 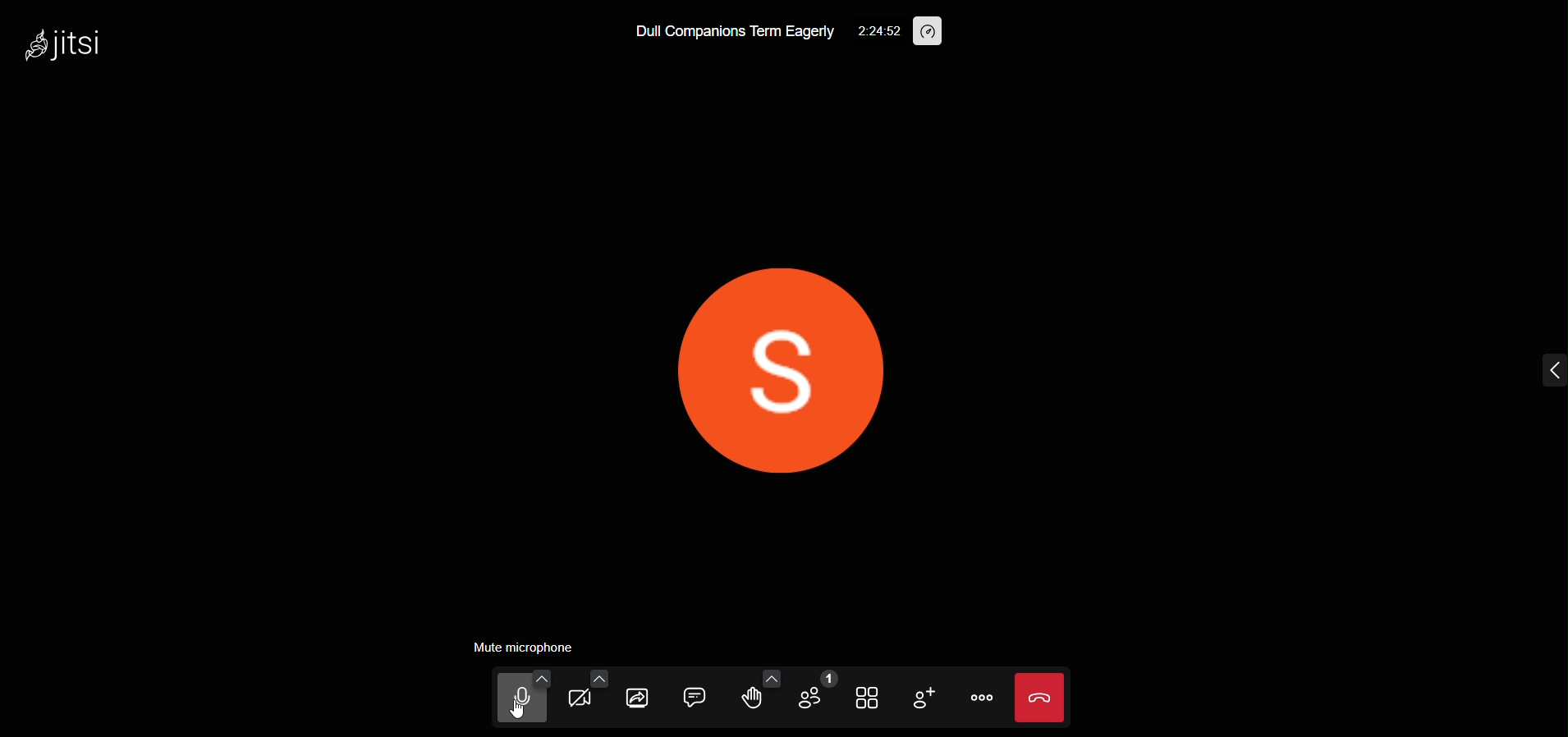 I want to click on chat, so click(x=695, y=695).